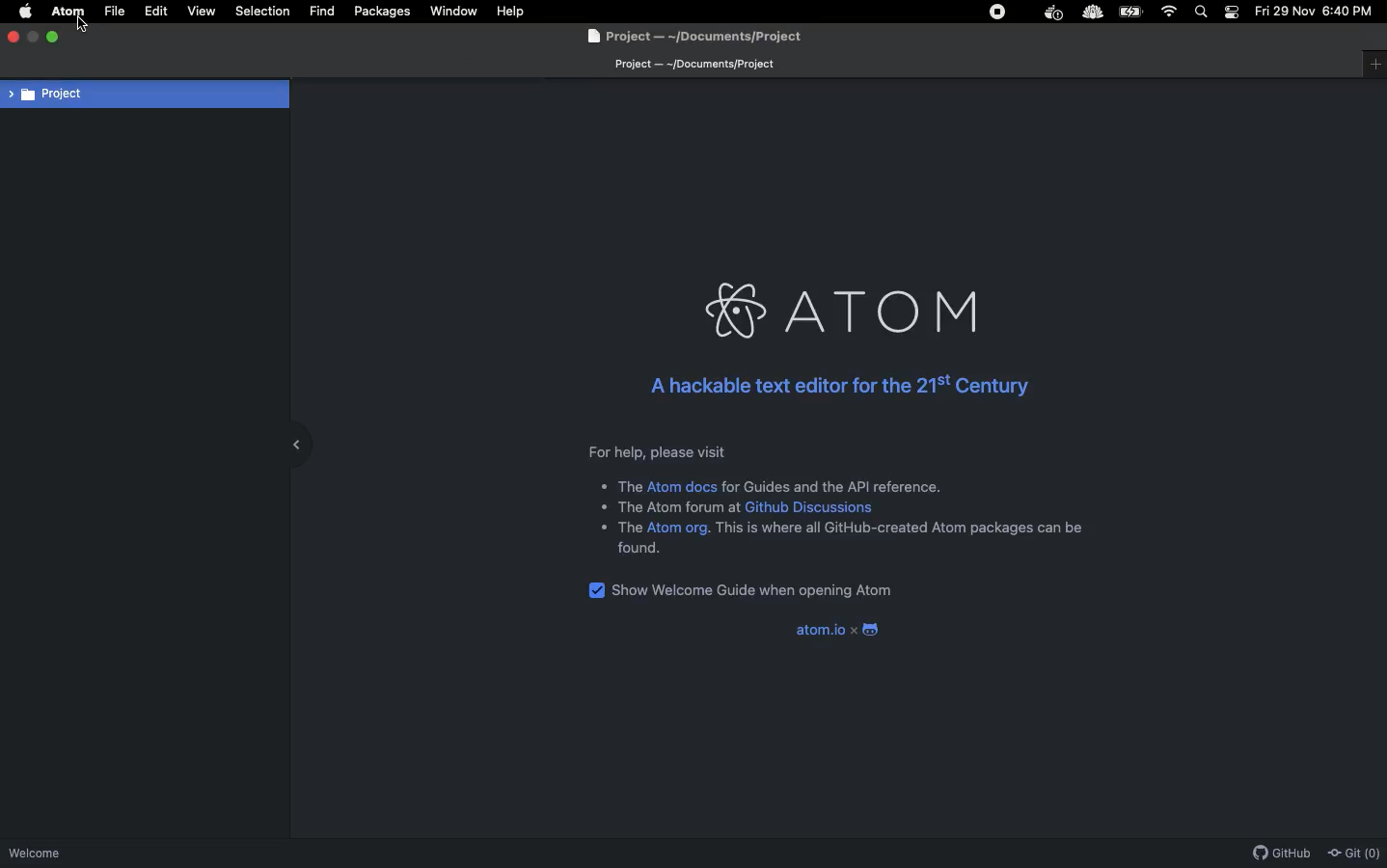 The width and height of the screenshot is (1387, 868). I want to click on Project, so click(145, 94).